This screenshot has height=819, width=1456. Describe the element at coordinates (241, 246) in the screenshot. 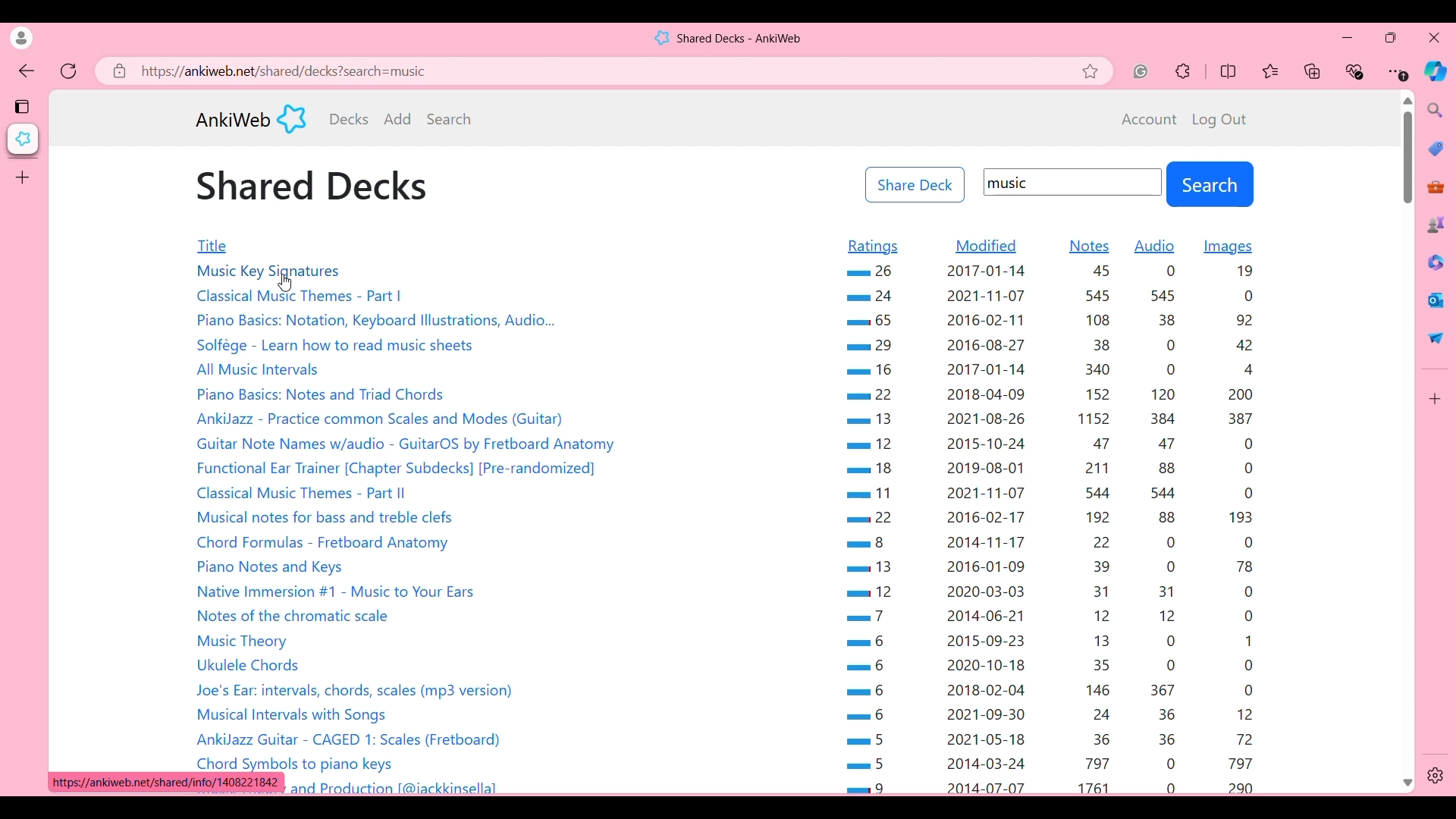

I see `Title` at that location.